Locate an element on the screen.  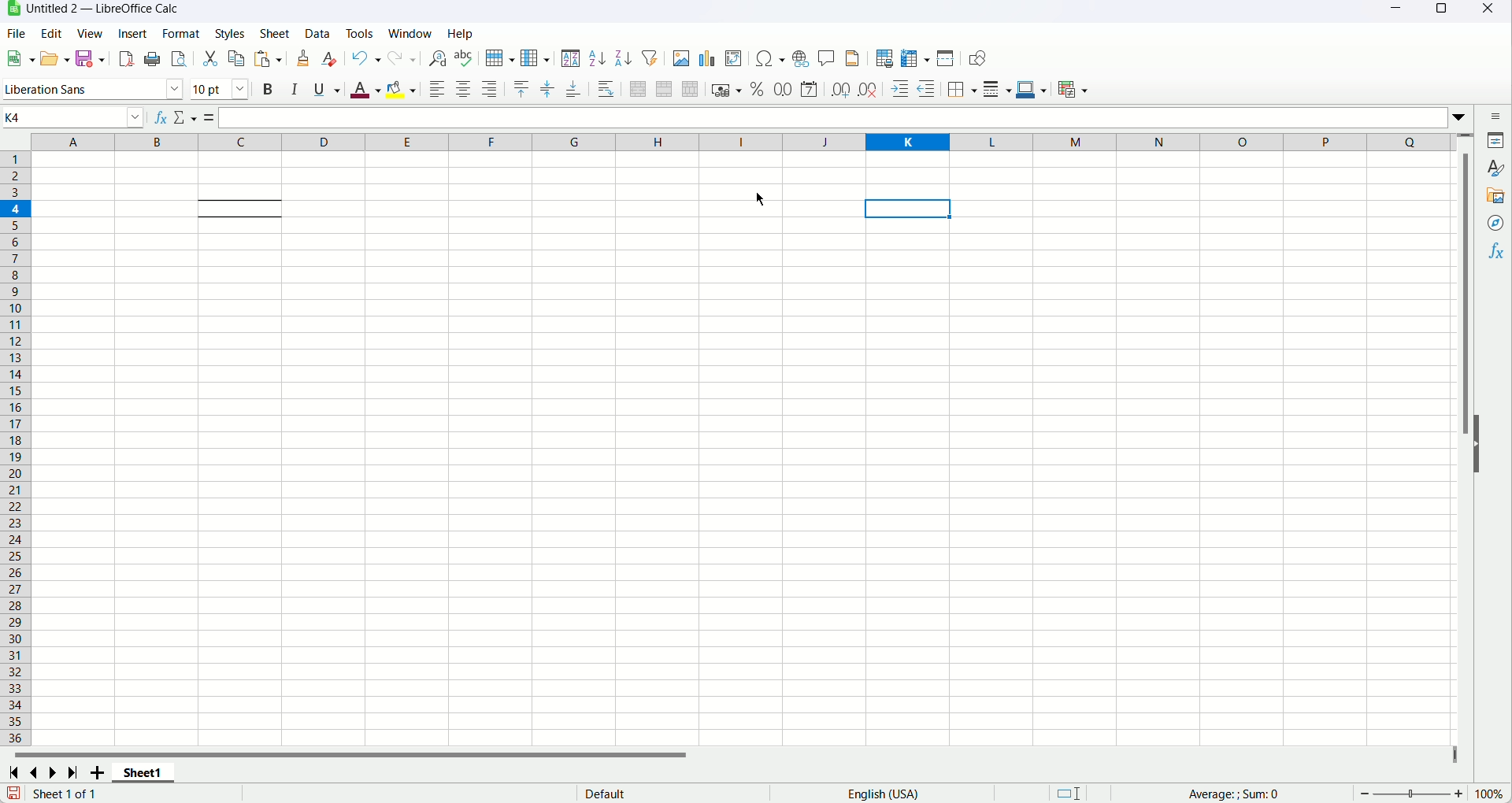
Function wizard is located at coordinates (161, 120).